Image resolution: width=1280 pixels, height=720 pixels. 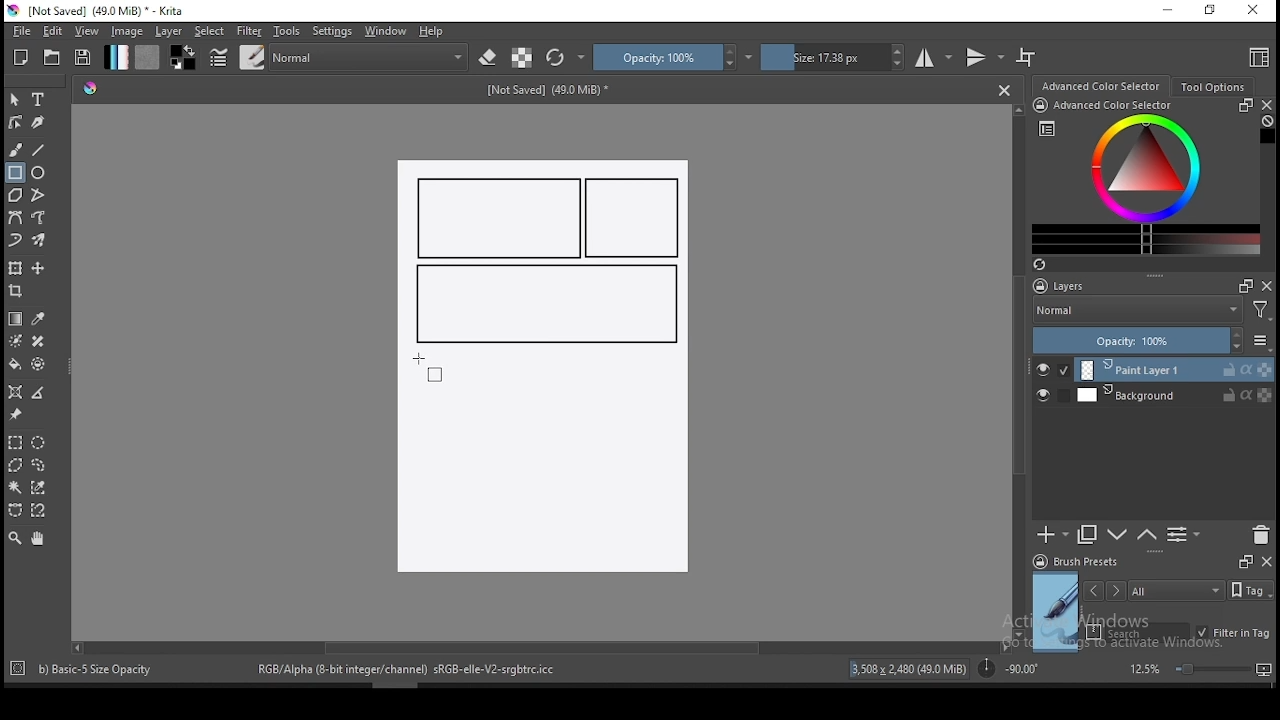 I want to click on search, so click(x=1138, y=632).